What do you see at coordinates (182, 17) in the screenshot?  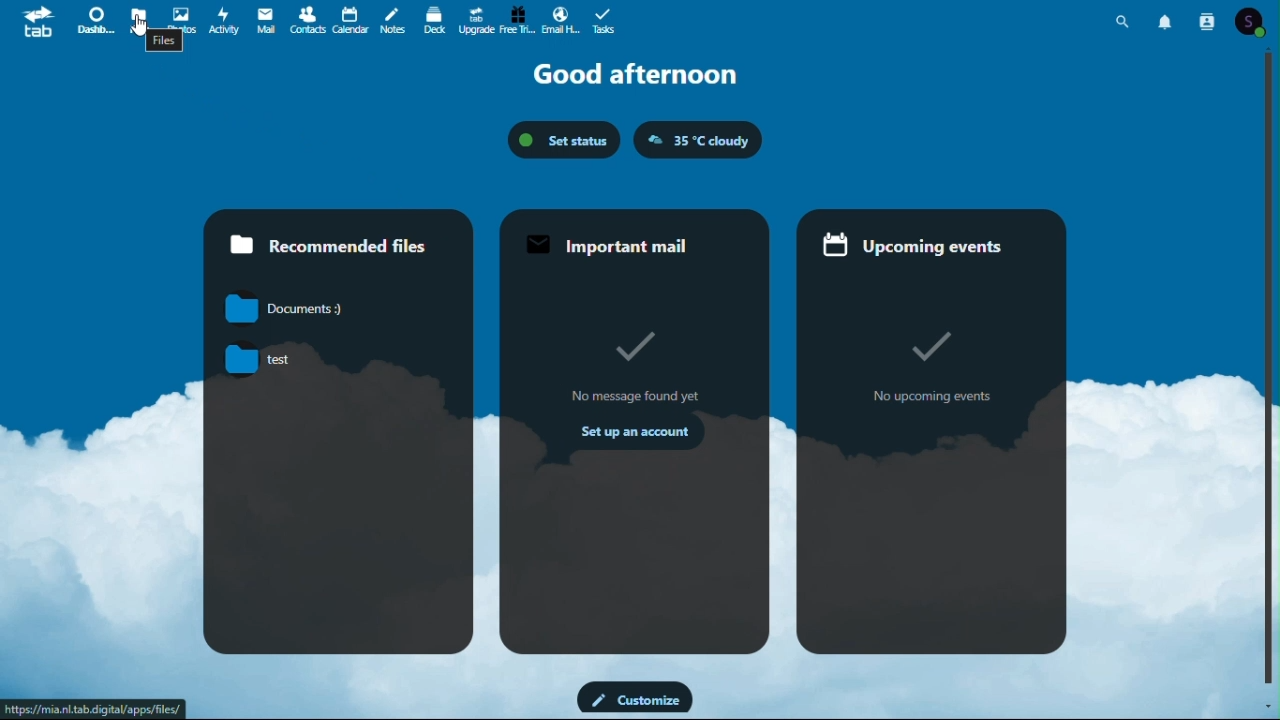 I see `Photos` at bounding box center [182, 17].